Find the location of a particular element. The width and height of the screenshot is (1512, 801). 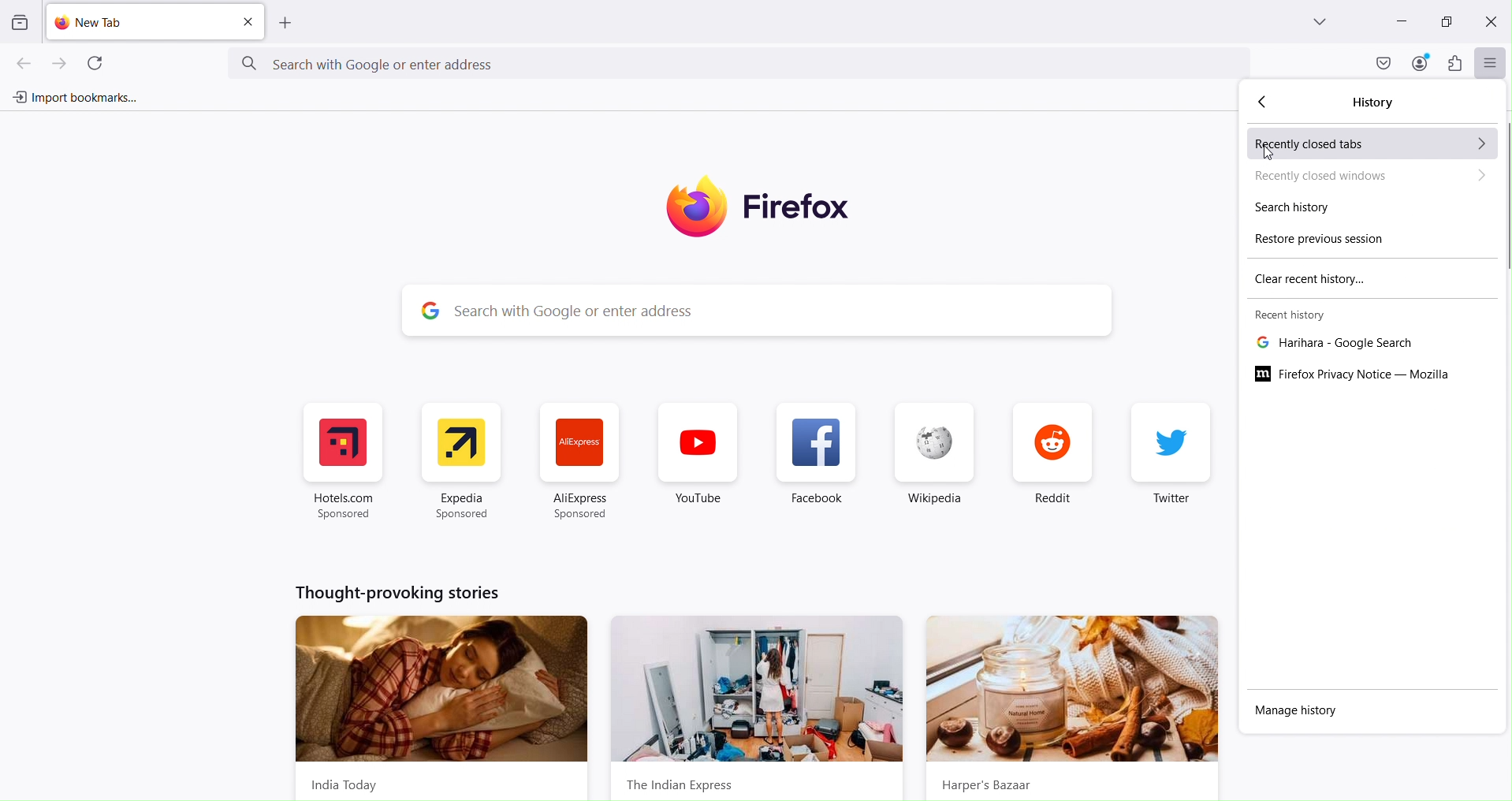

Twitter Shortcut is located at coordinates (1170, 461).